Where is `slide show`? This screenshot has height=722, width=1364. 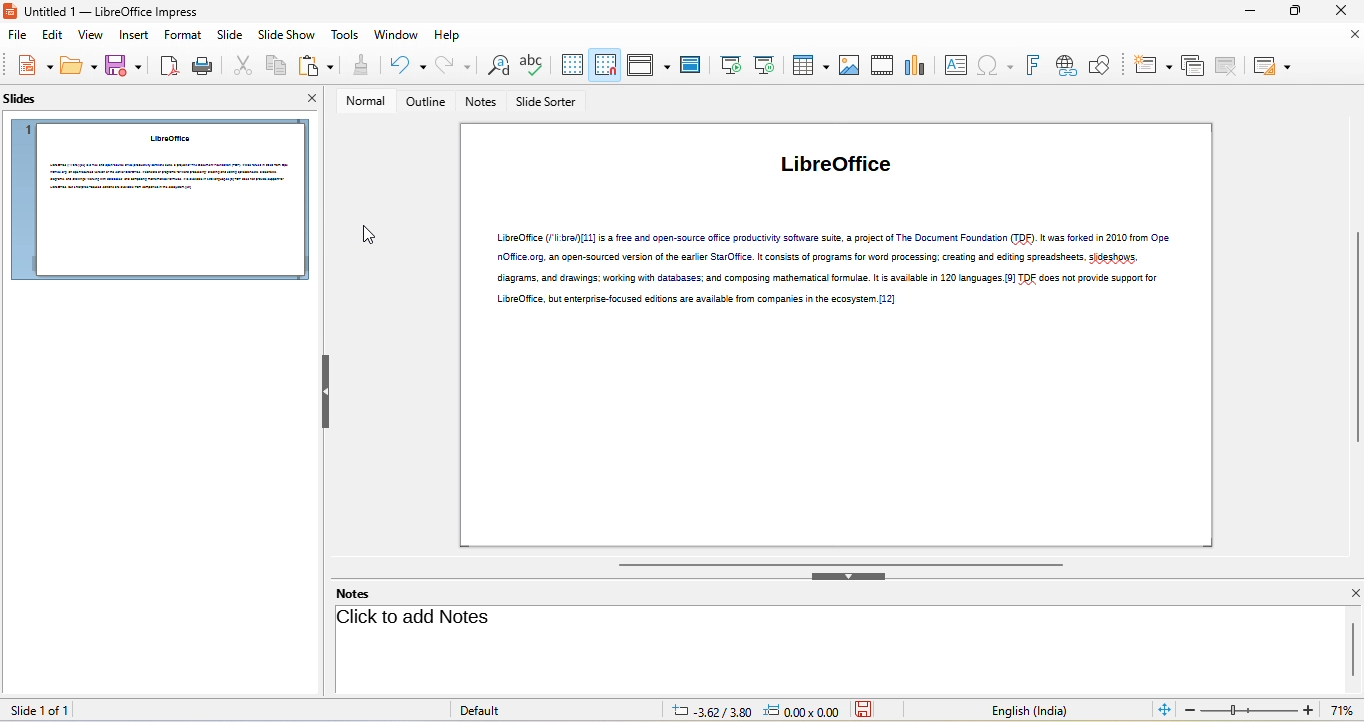
slide show is located at coordinates (287, 36).